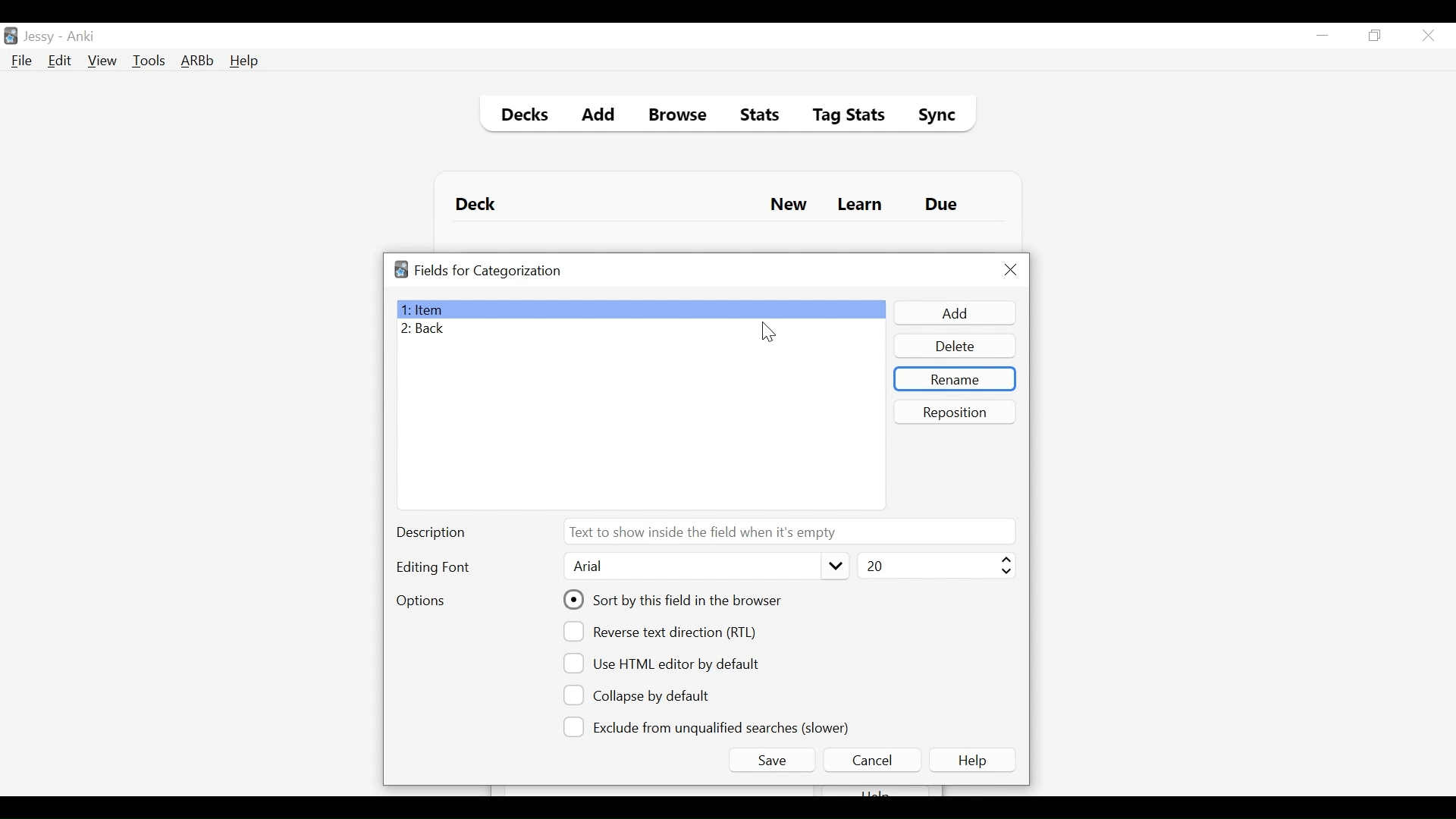  What do you see at coordinates (680, 117) in the screenshot?
I see `Browse` at bounding box center [680, 117].